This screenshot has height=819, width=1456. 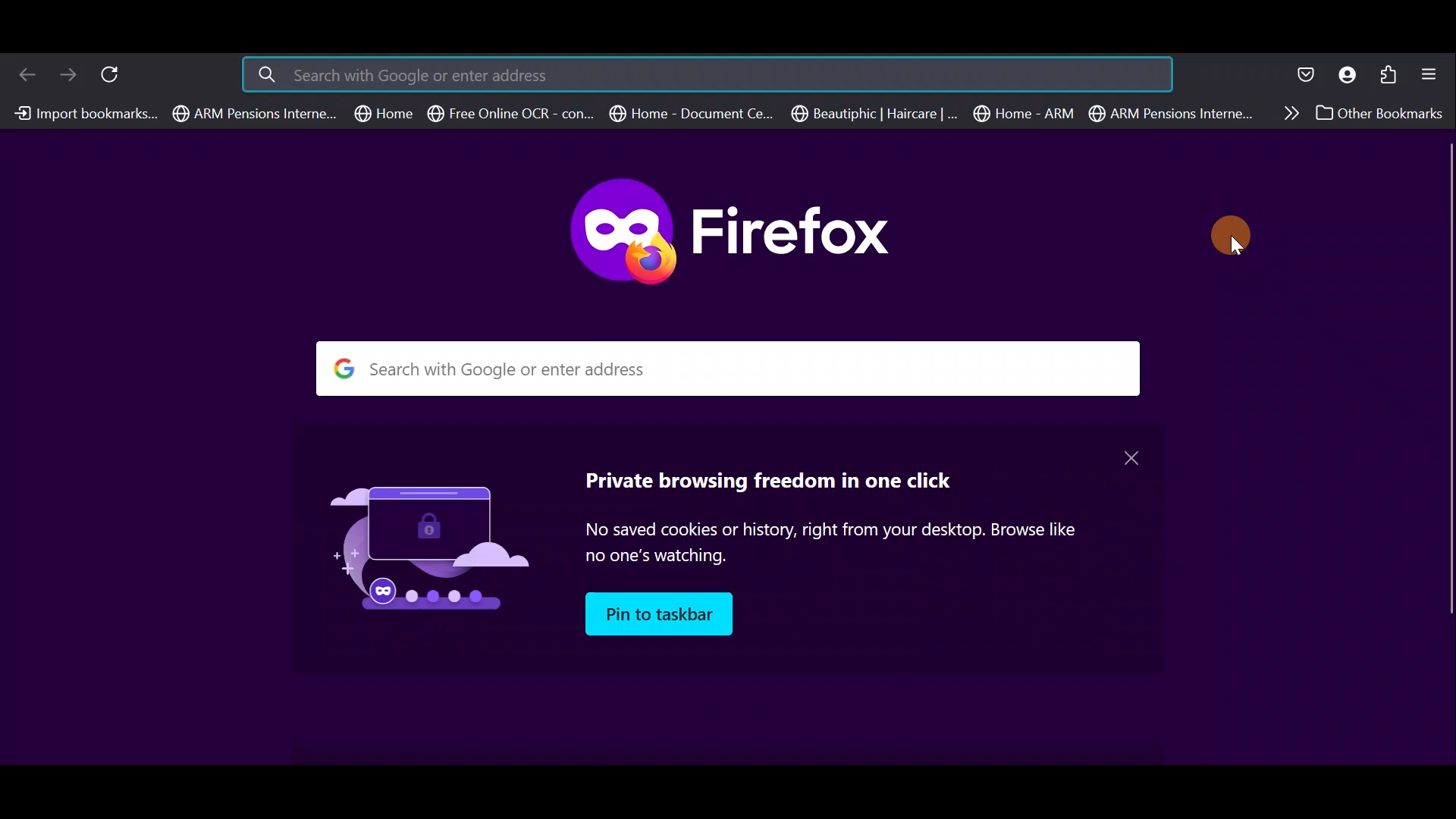 I want to click on Image of a browser in incognito mode, so click(x=416, y=550).